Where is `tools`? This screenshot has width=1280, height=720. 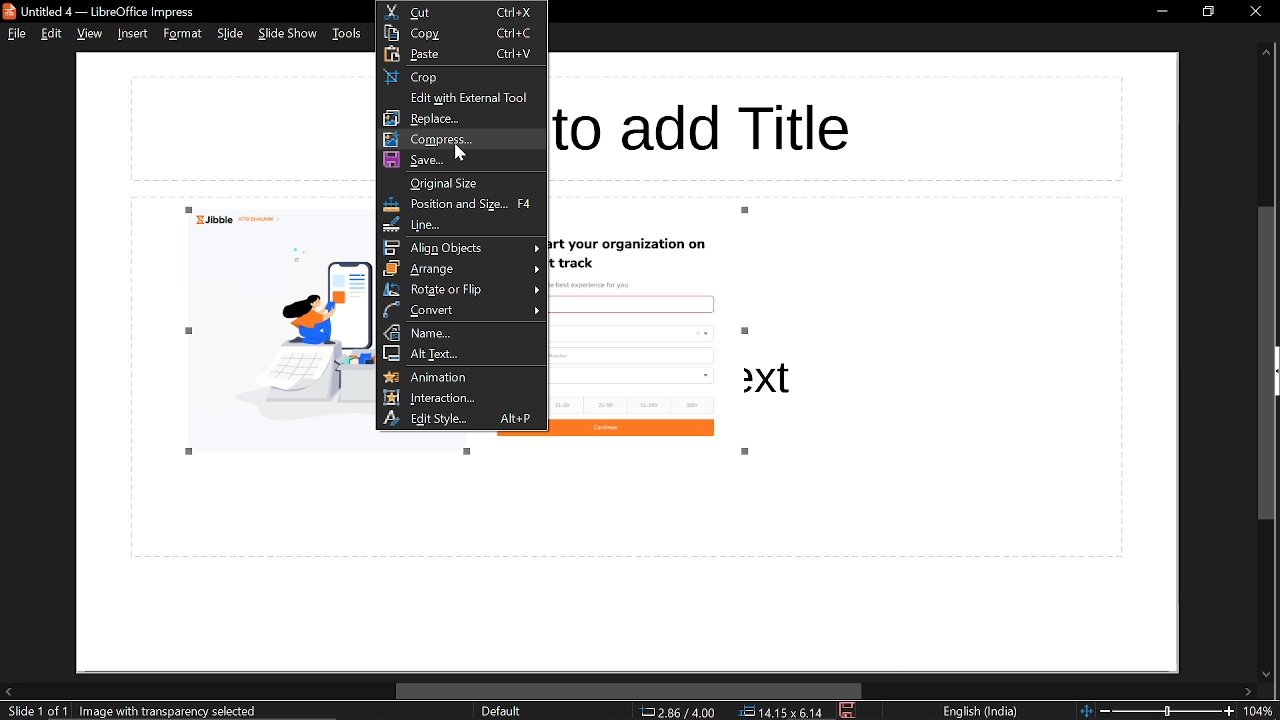
tools is located at coordinates (346, 33).